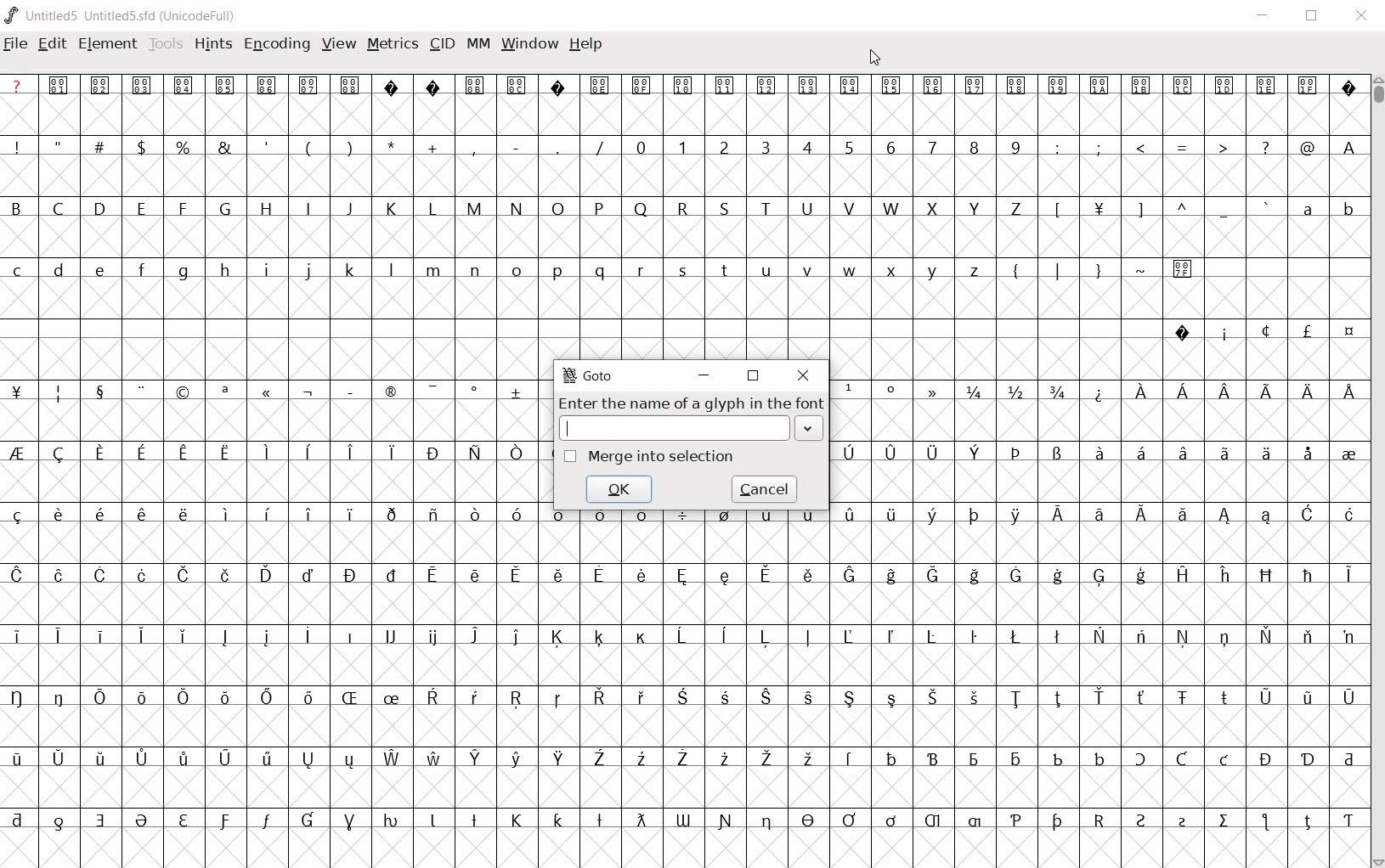 The width and height of the screenshot is (1385, 868). I want to click on close, so click(1363, 17).